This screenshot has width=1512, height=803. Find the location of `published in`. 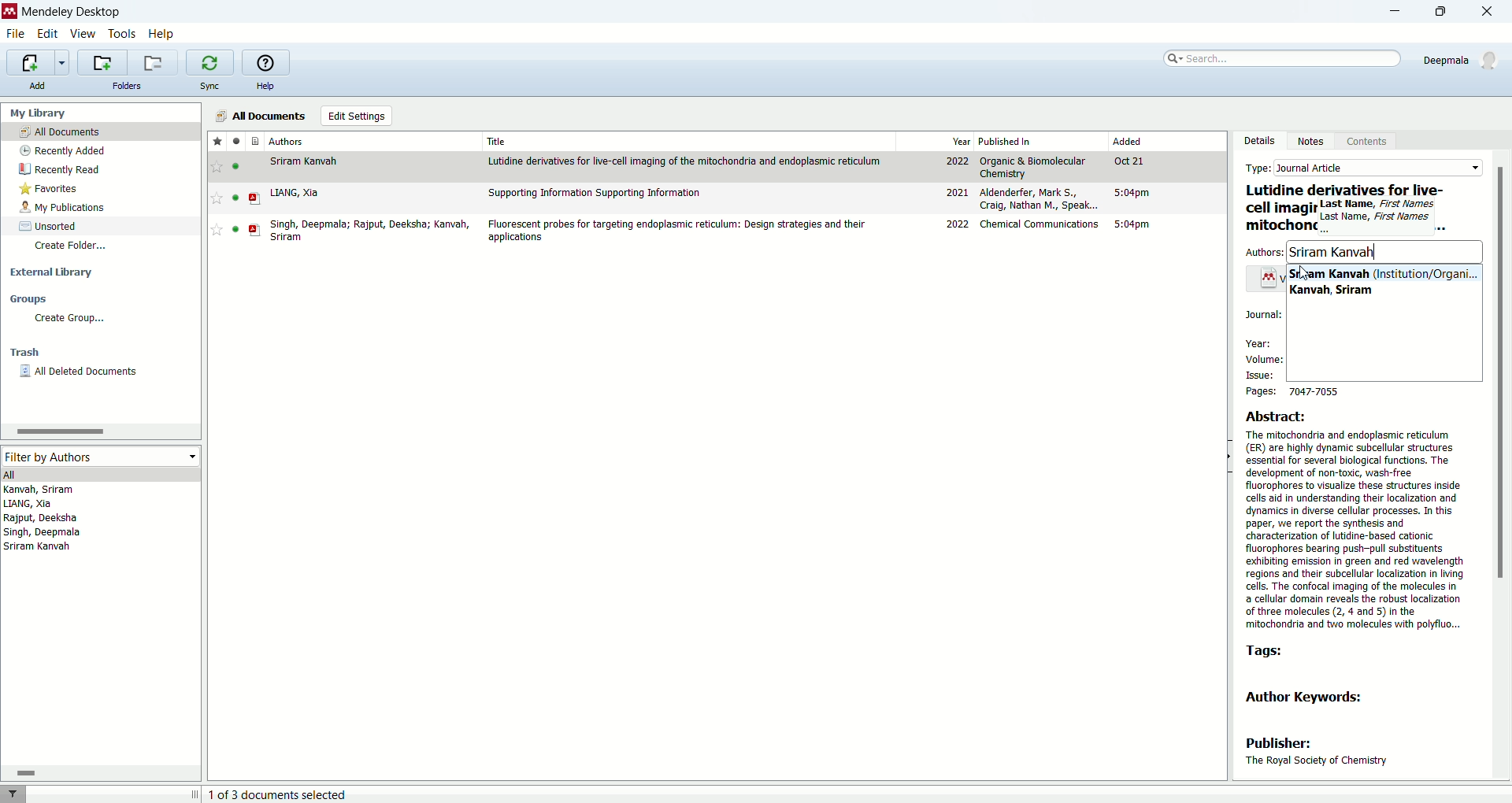

published in is located at coordinates (1021, 142).